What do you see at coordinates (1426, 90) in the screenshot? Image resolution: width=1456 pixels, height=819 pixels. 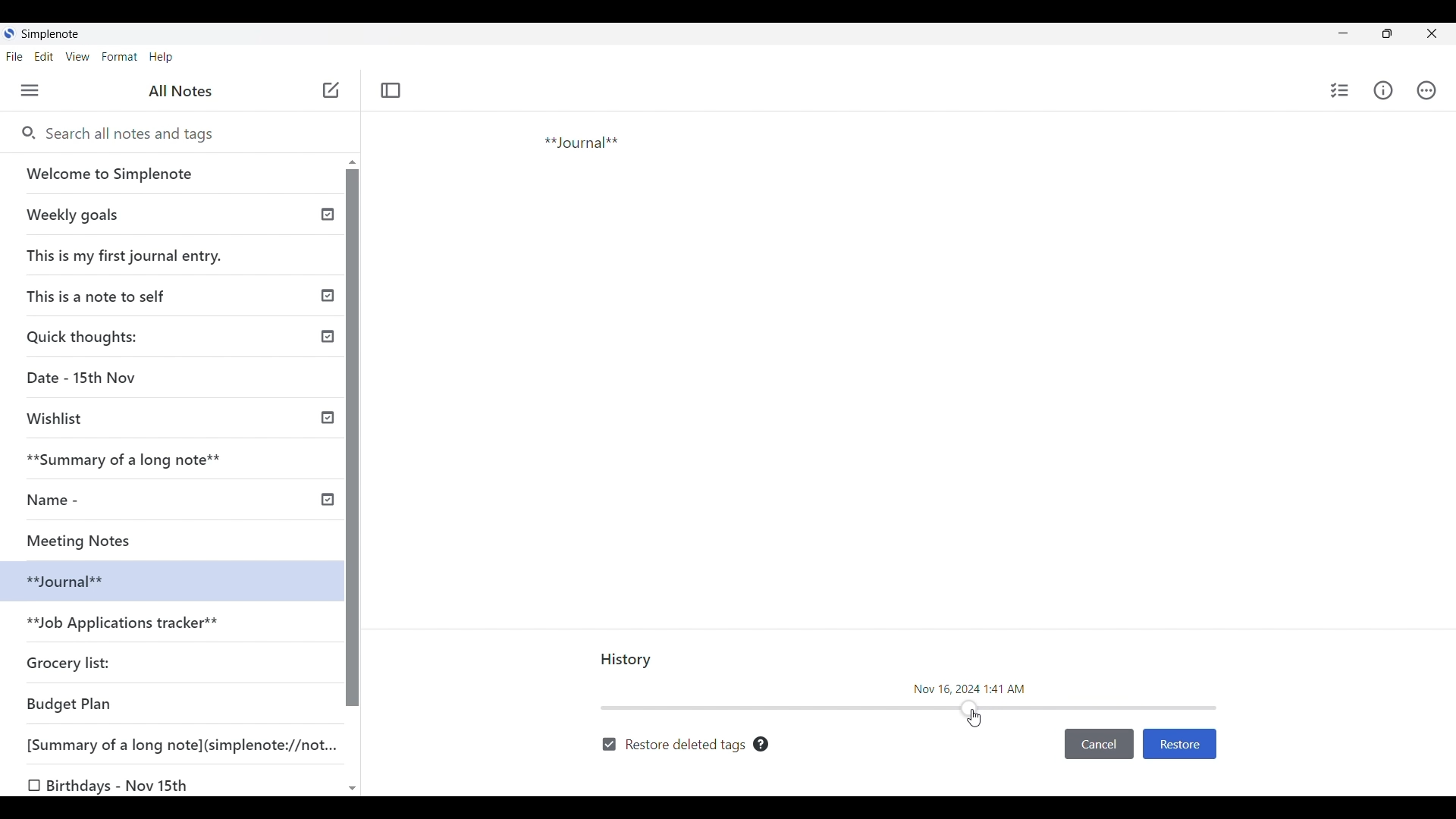 I see `Actions` at bounding box center [1426, 90].